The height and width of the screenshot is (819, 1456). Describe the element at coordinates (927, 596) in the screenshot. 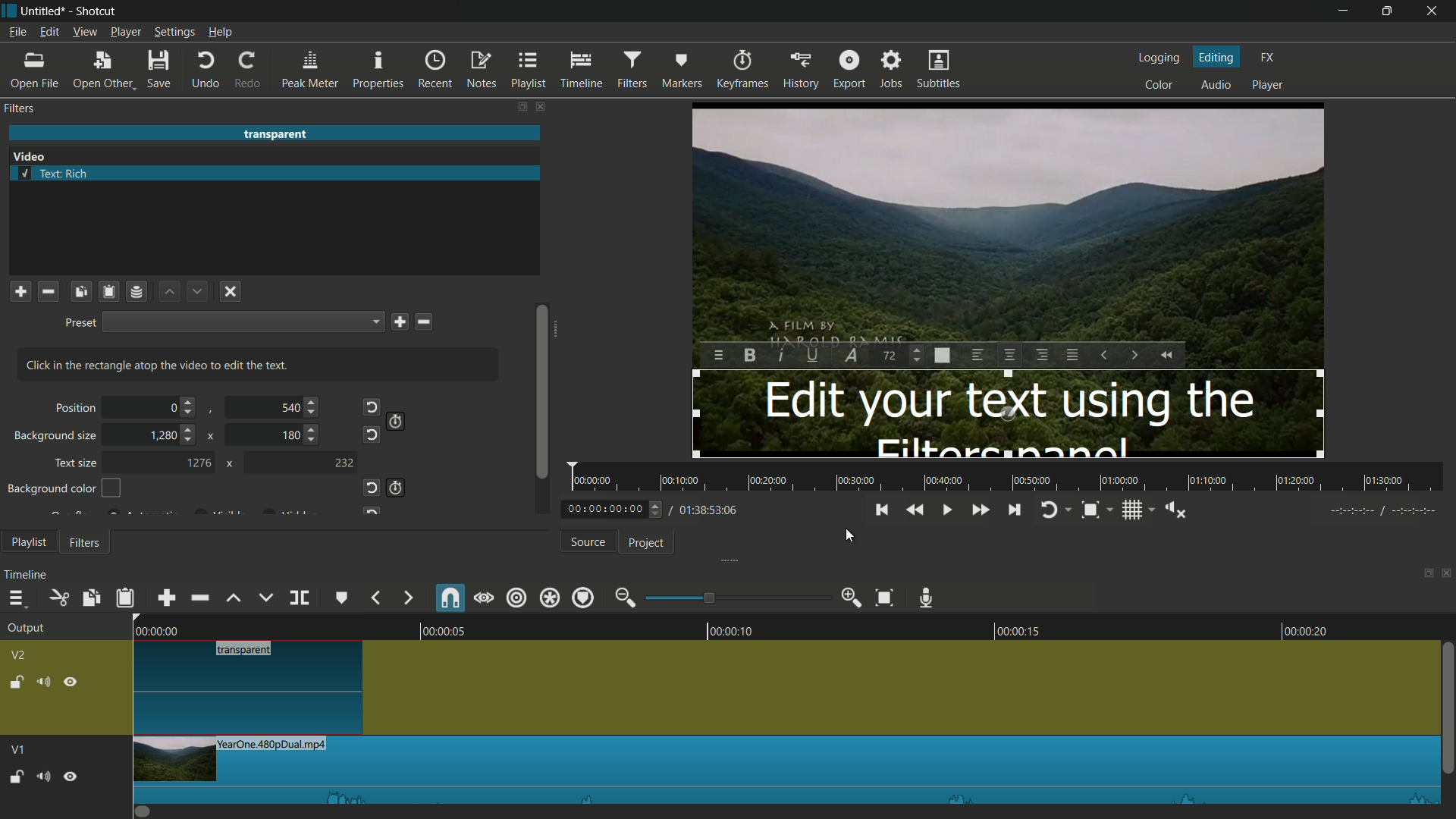

I see `record audio` at that location.